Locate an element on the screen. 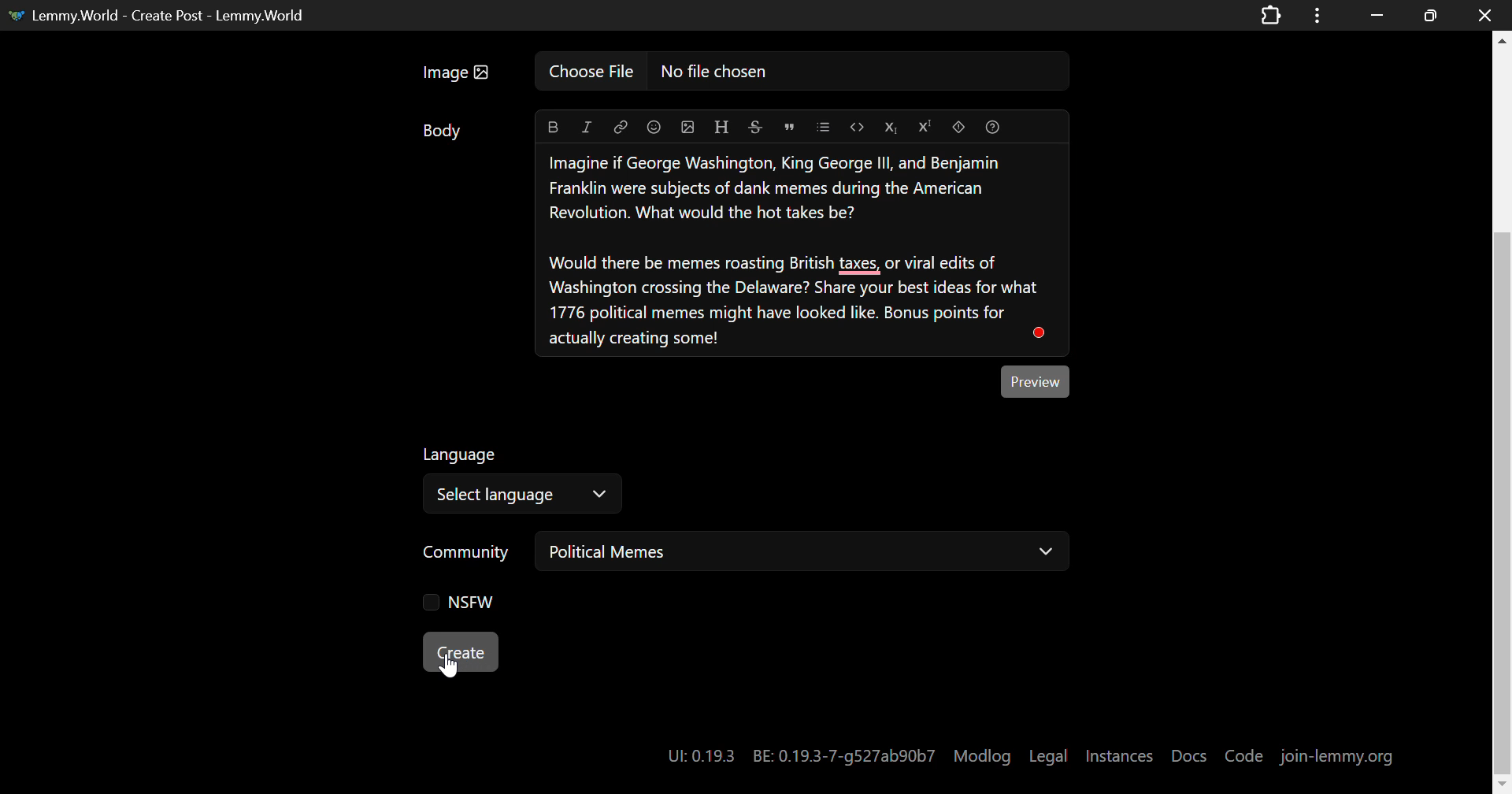 The width and height of the screenshot is (1512, 794). Minimize Window is located at coordinates (1428, 16).